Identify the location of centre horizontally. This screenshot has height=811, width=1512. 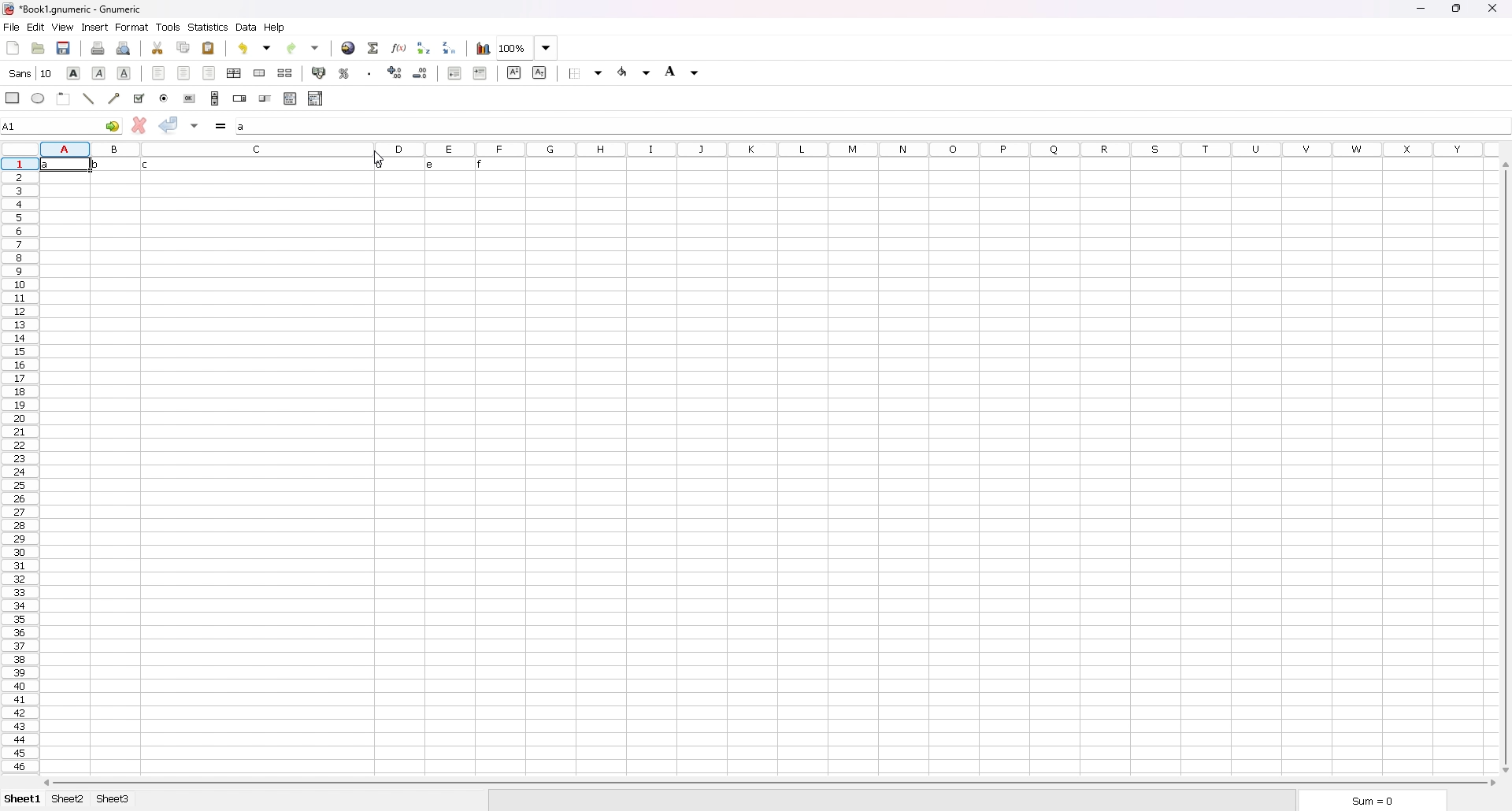
(234, 74).